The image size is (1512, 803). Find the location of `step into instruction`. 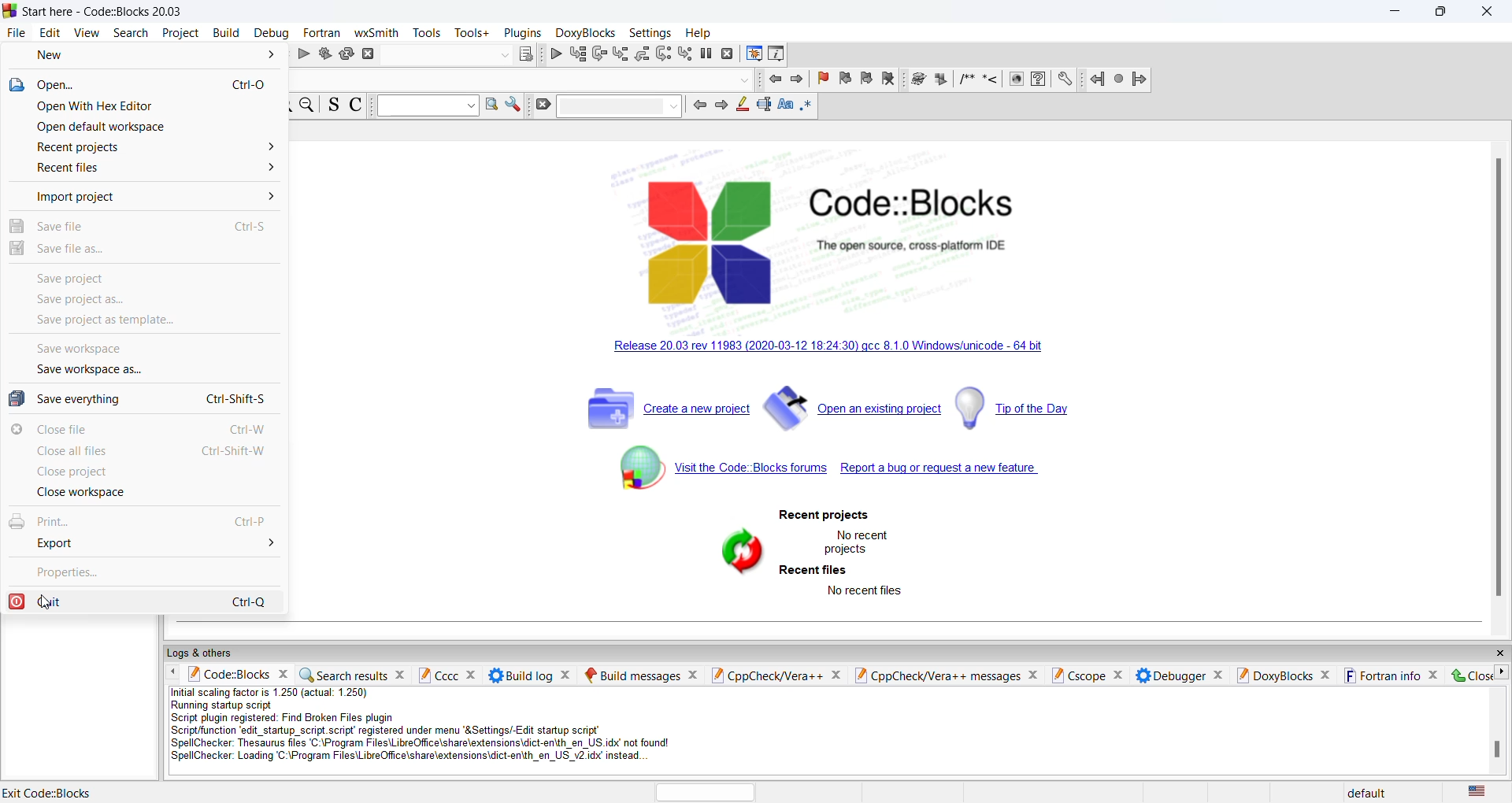

step into instruction is located at coordinates (684, 54).